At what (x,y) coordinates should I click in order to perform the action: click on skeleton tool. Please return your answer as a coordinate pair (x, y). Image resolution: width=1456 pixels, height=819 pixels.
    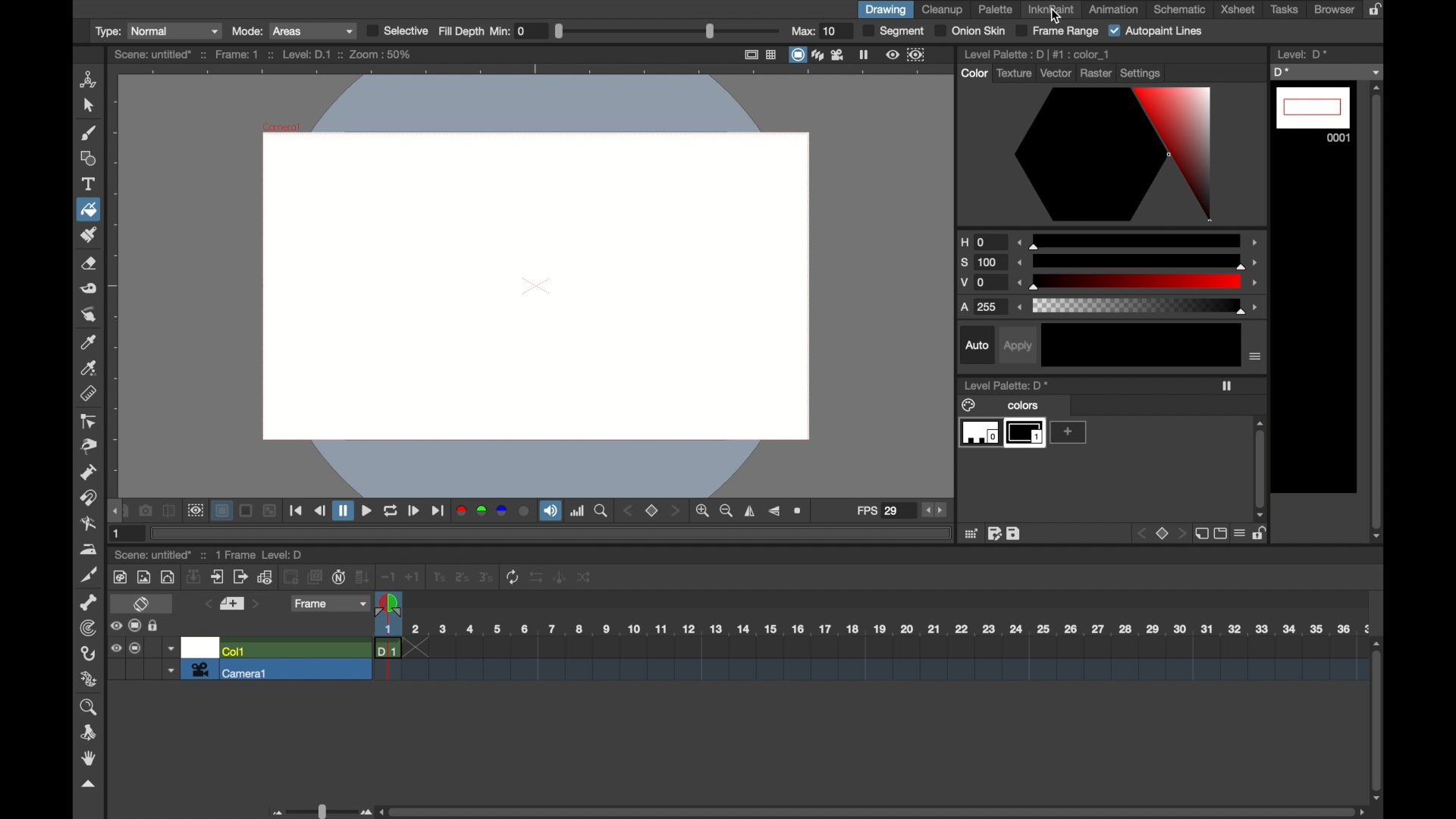
    Looking at the image, I should click on (89, 603).